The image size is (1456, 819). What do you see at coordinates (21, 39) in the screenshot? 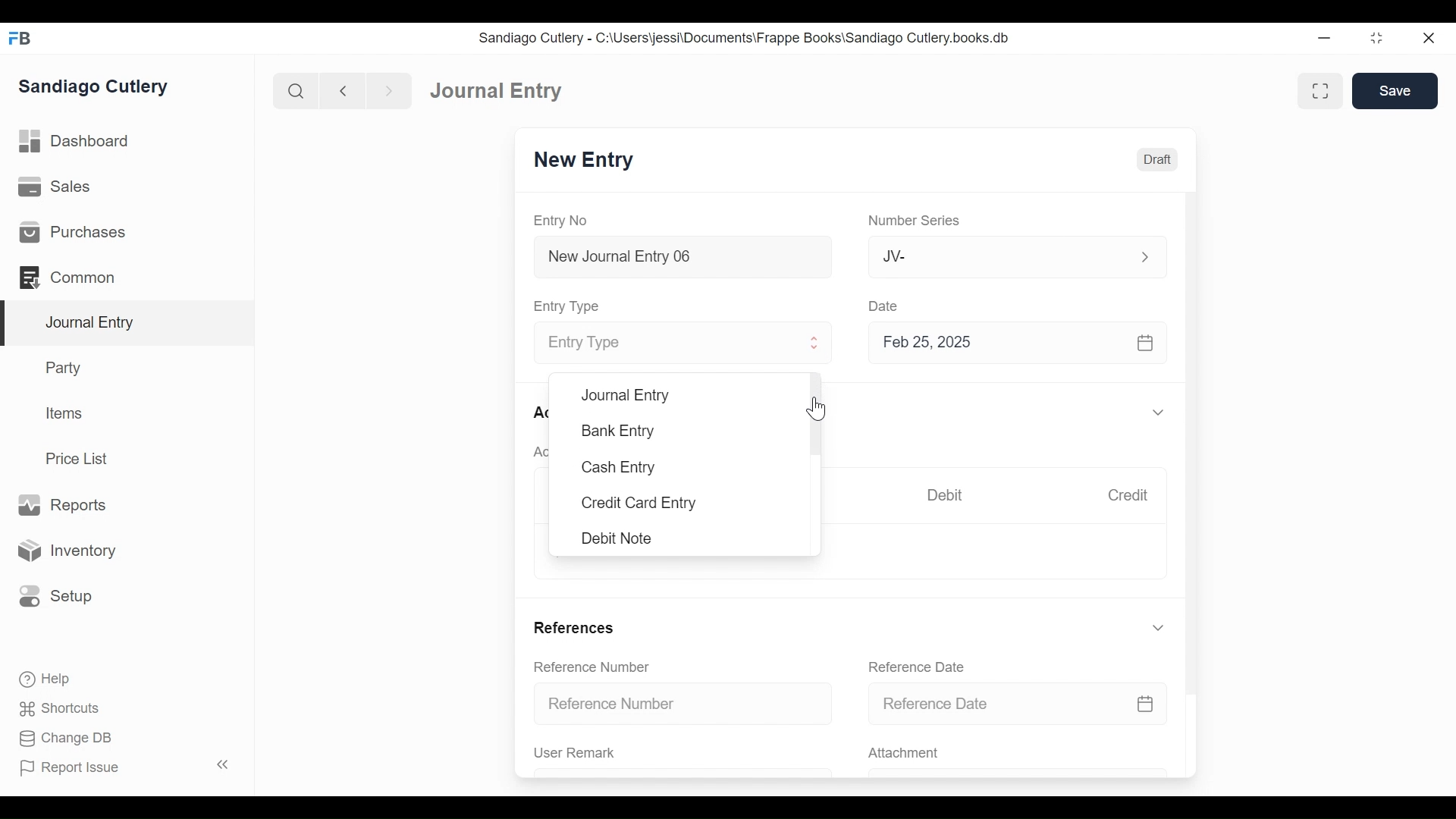
I see `Frappe Books Desktop icon` at bounding box center [21, 39].